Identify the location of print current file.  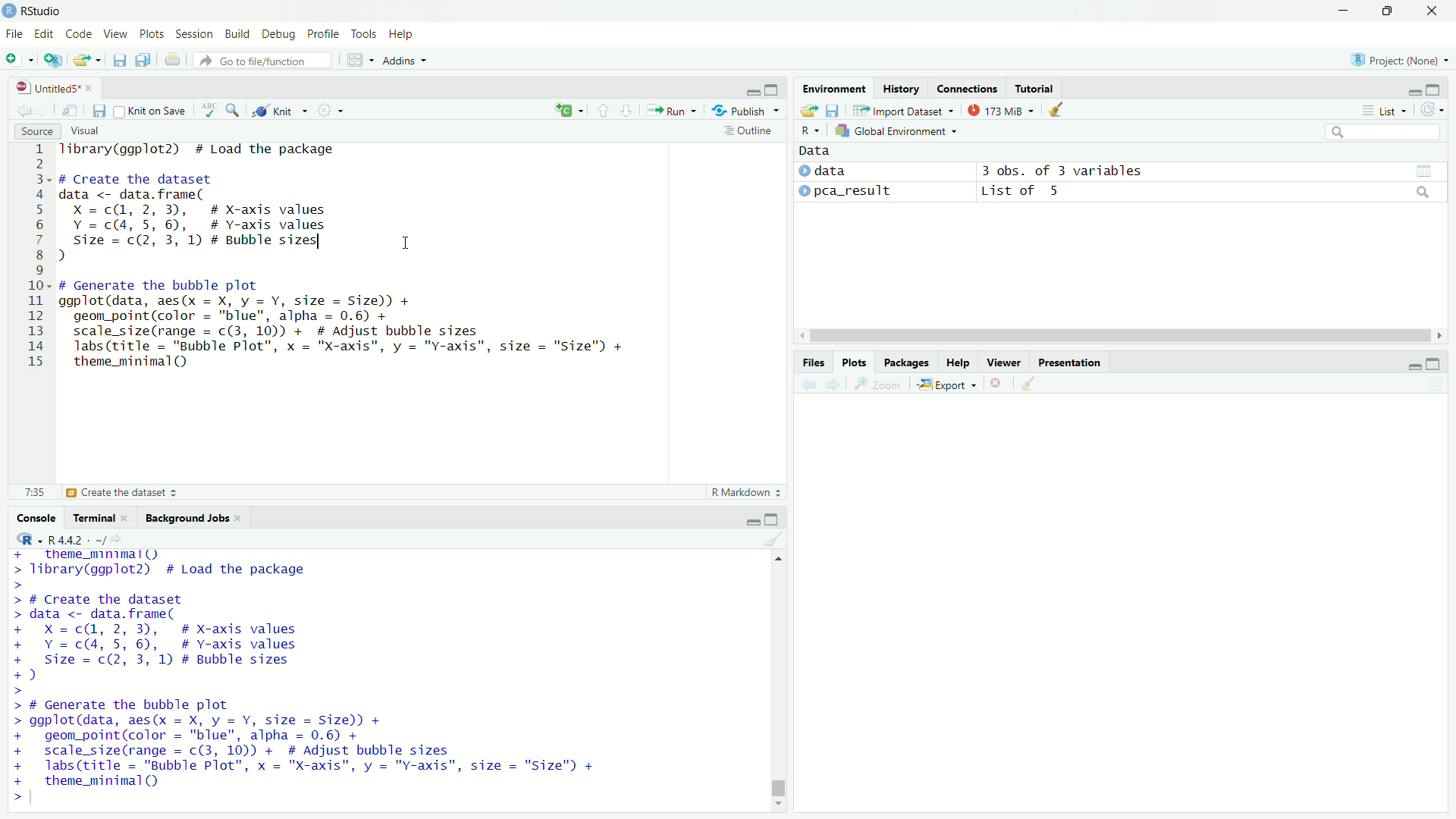
(173, 59).